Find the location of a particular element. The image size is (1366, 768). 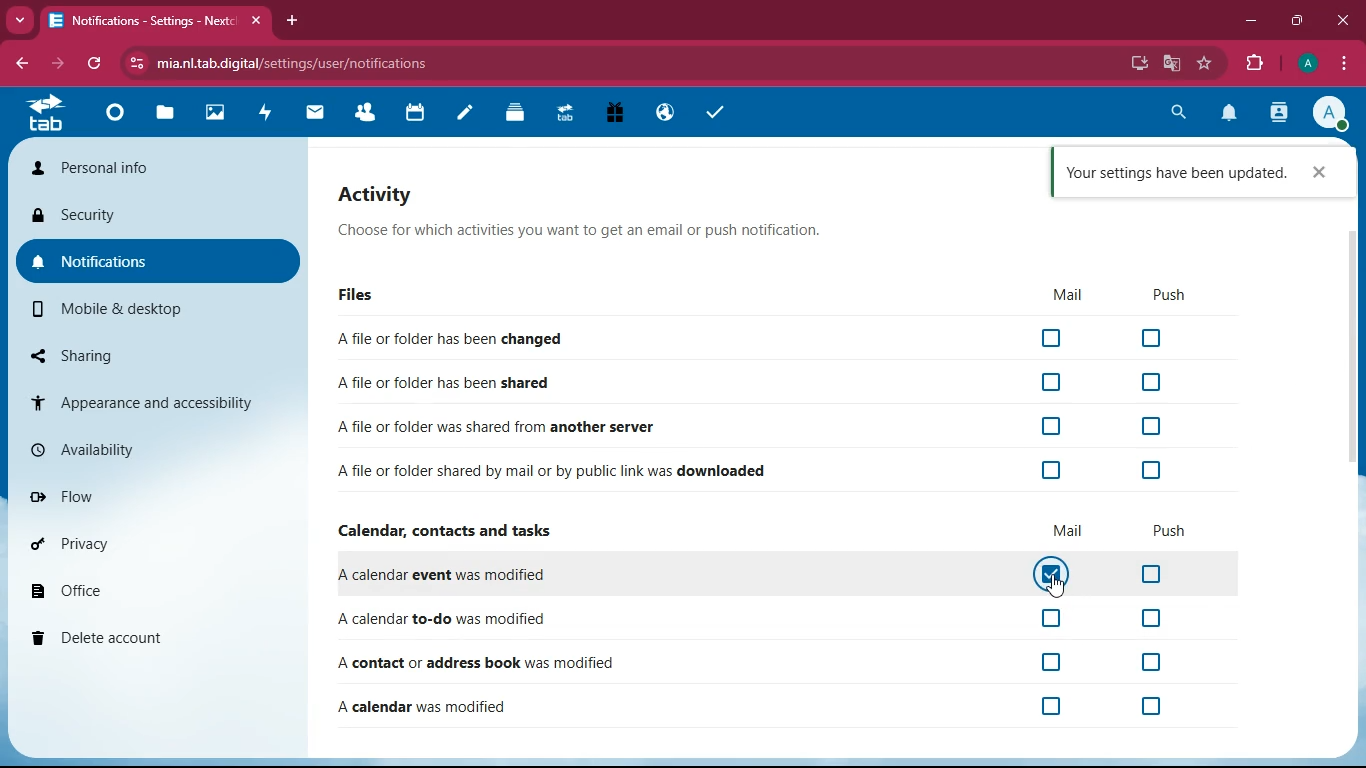

A calendar event was modified is located at coordinates (754, 573).